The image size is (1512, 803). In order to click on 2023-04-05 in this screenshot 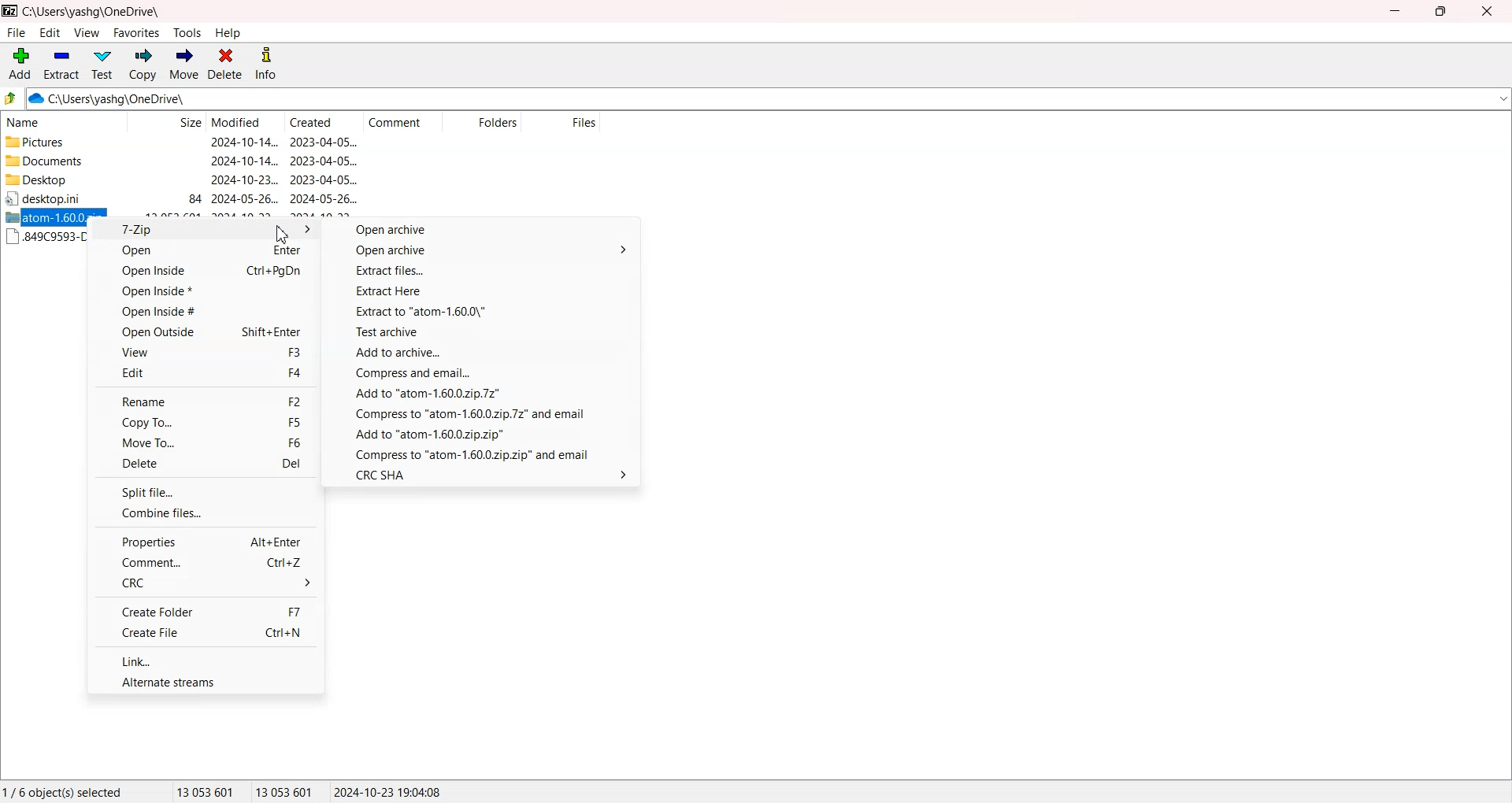, I will do `click(324, 161)`.